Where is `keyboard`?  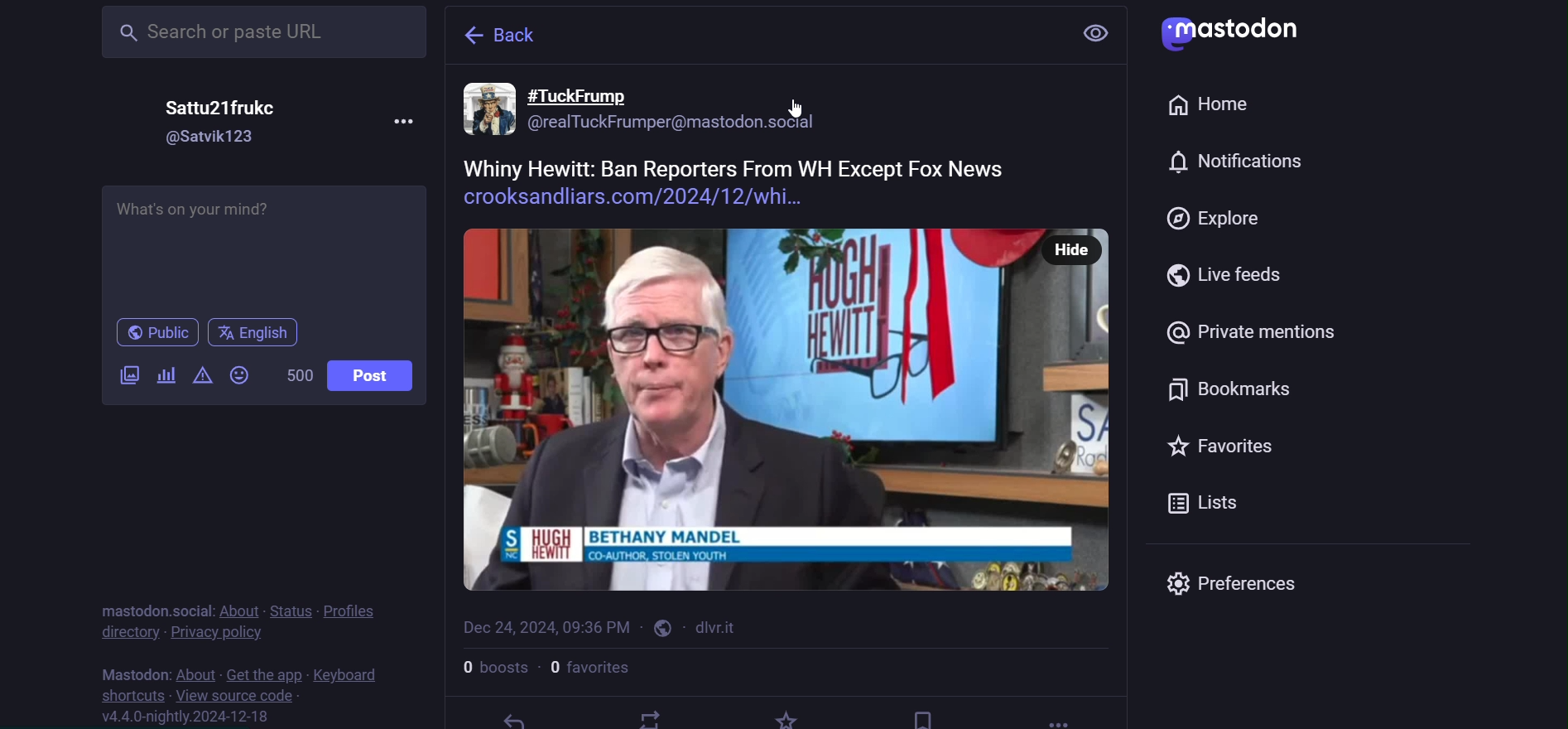 keyboard is located at coordinates (350, 675).